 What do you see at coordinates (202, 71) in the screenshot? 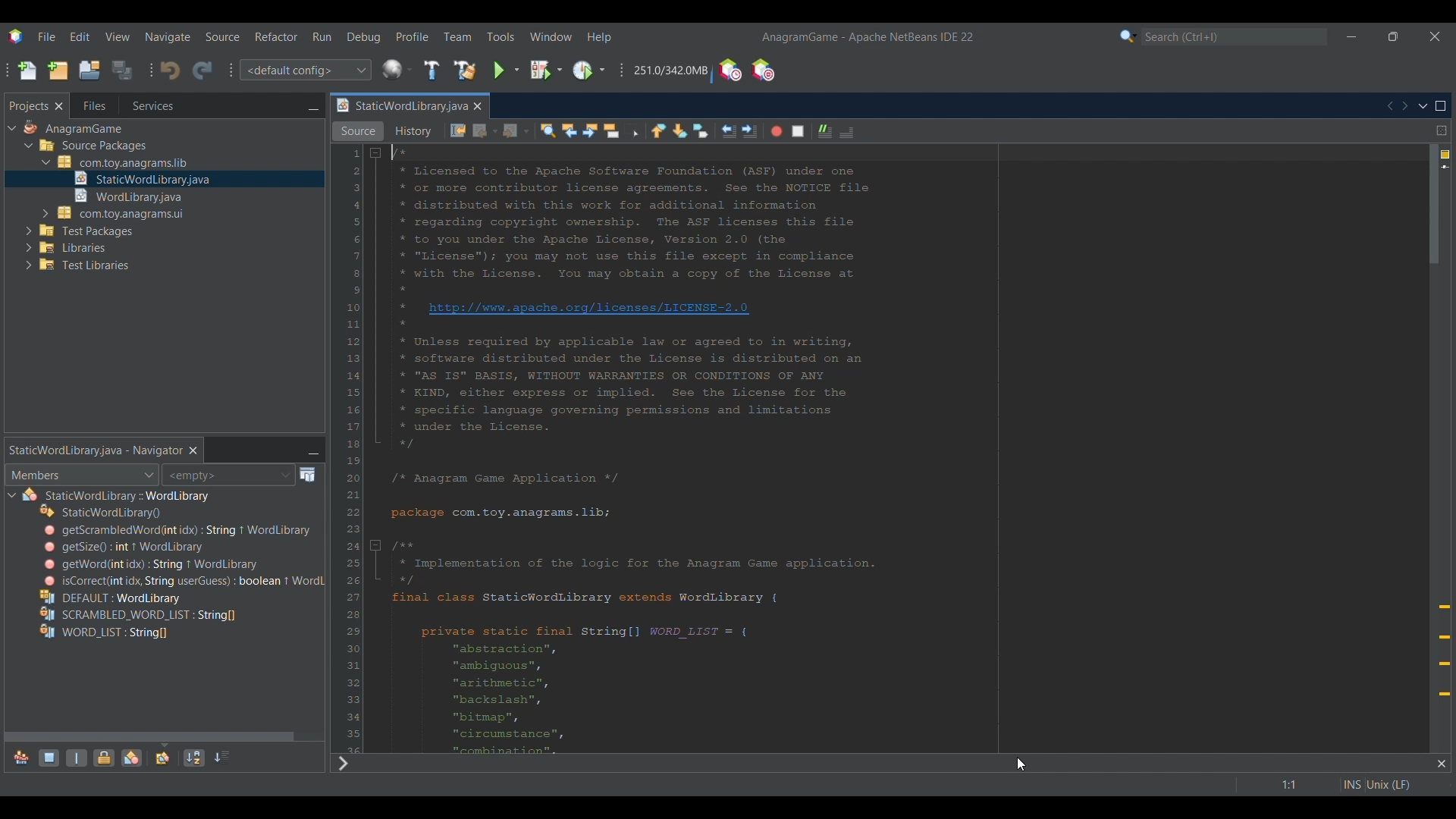
I see `Redo` at bounding box center [202, 71].